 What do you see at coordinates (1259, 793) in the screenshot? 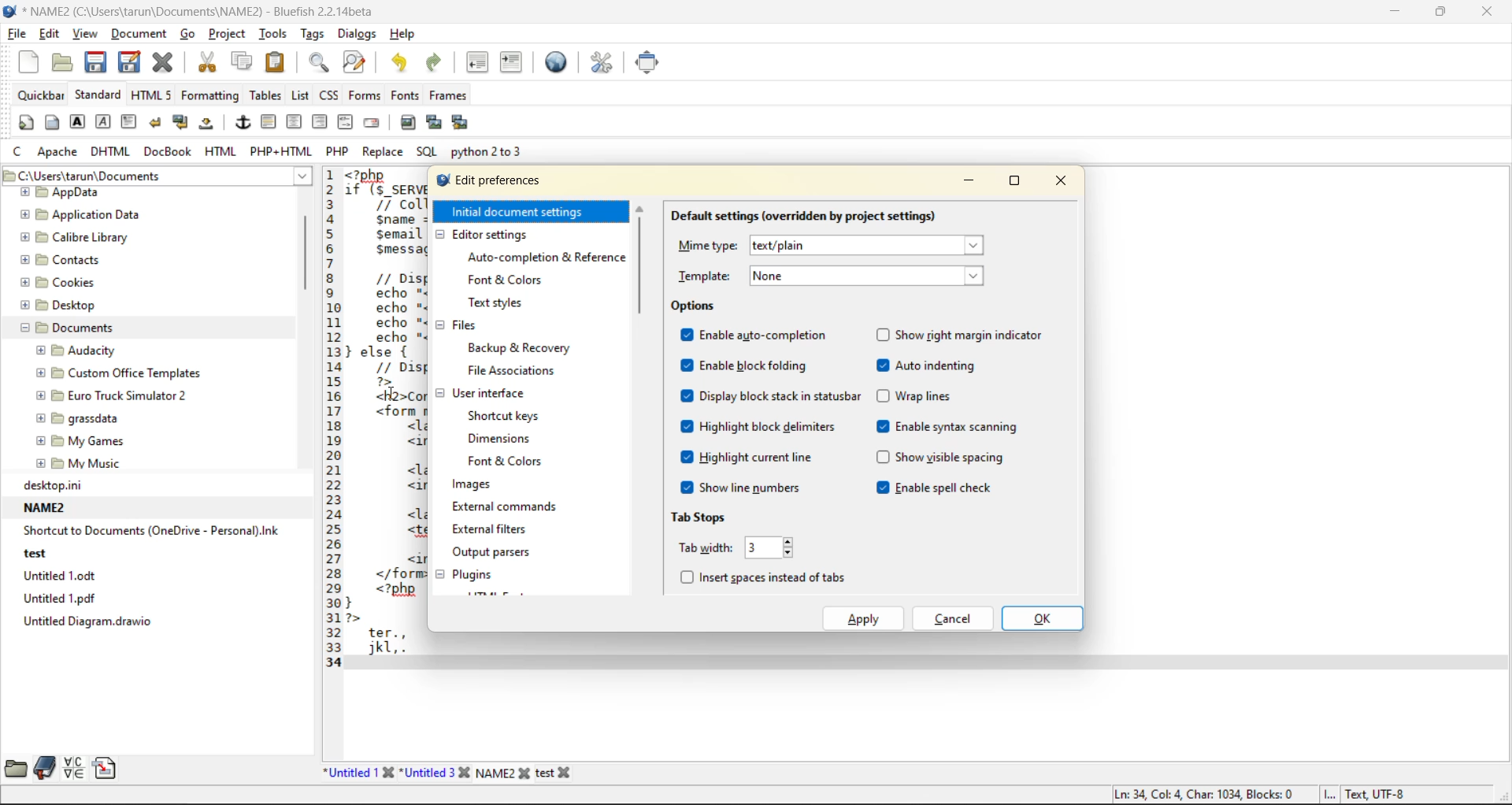
I see `metadata` at bounding box center [1259, 793].